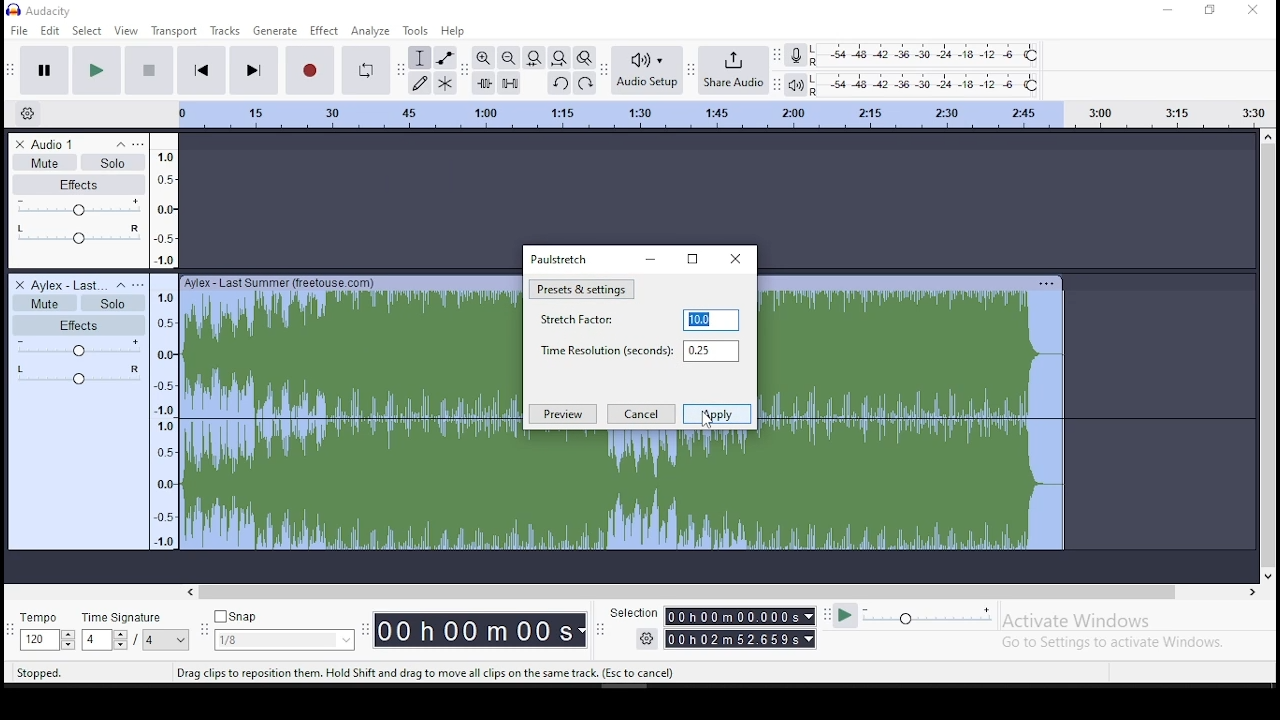 The width and height of the screenshot is (1280, 720). I want to click on solo, so click(116, 163).